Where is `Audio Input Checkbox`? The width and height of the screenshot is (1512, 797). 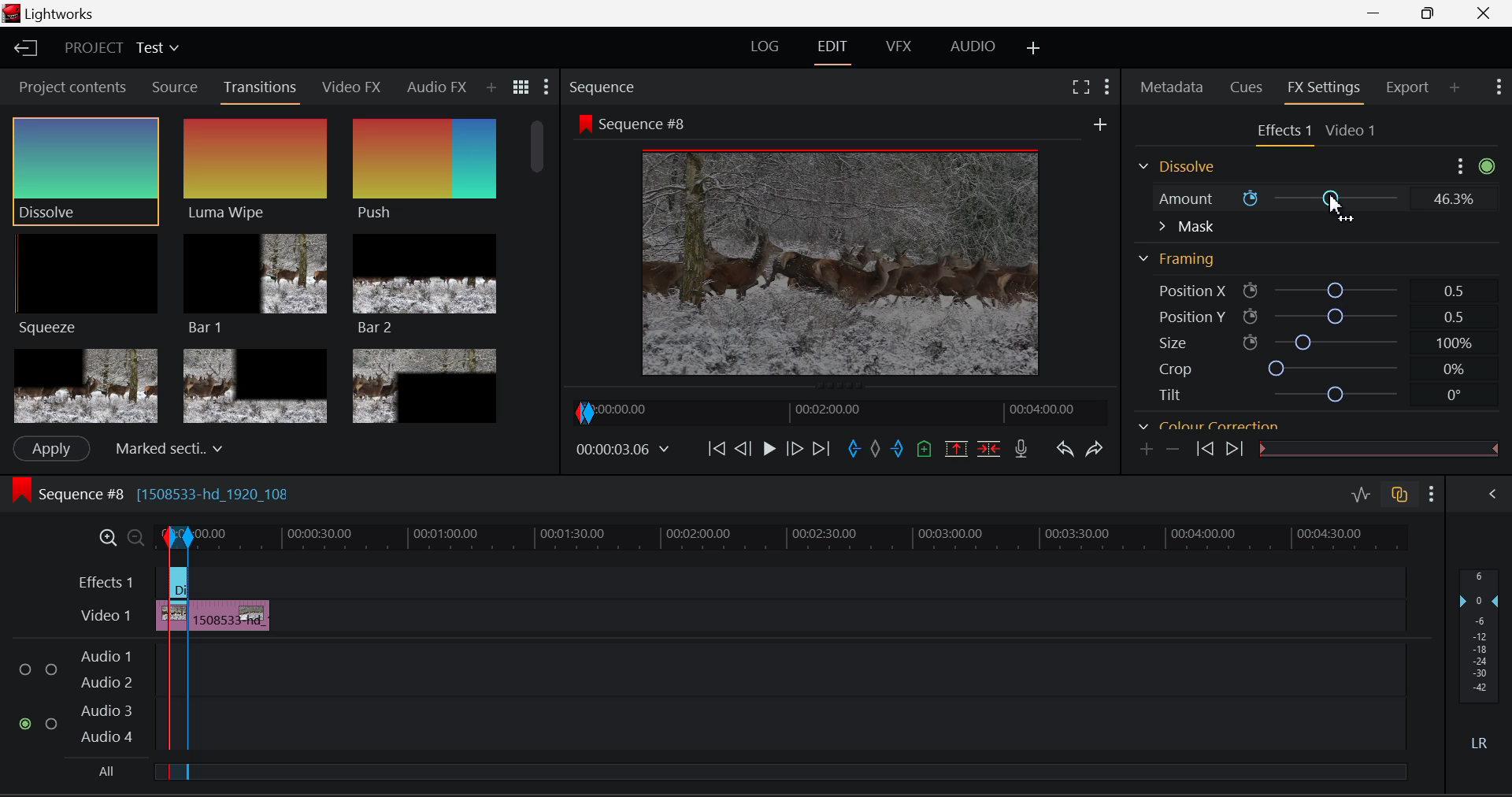
Audio Input Checkbox is located at coordinates (27, 723).